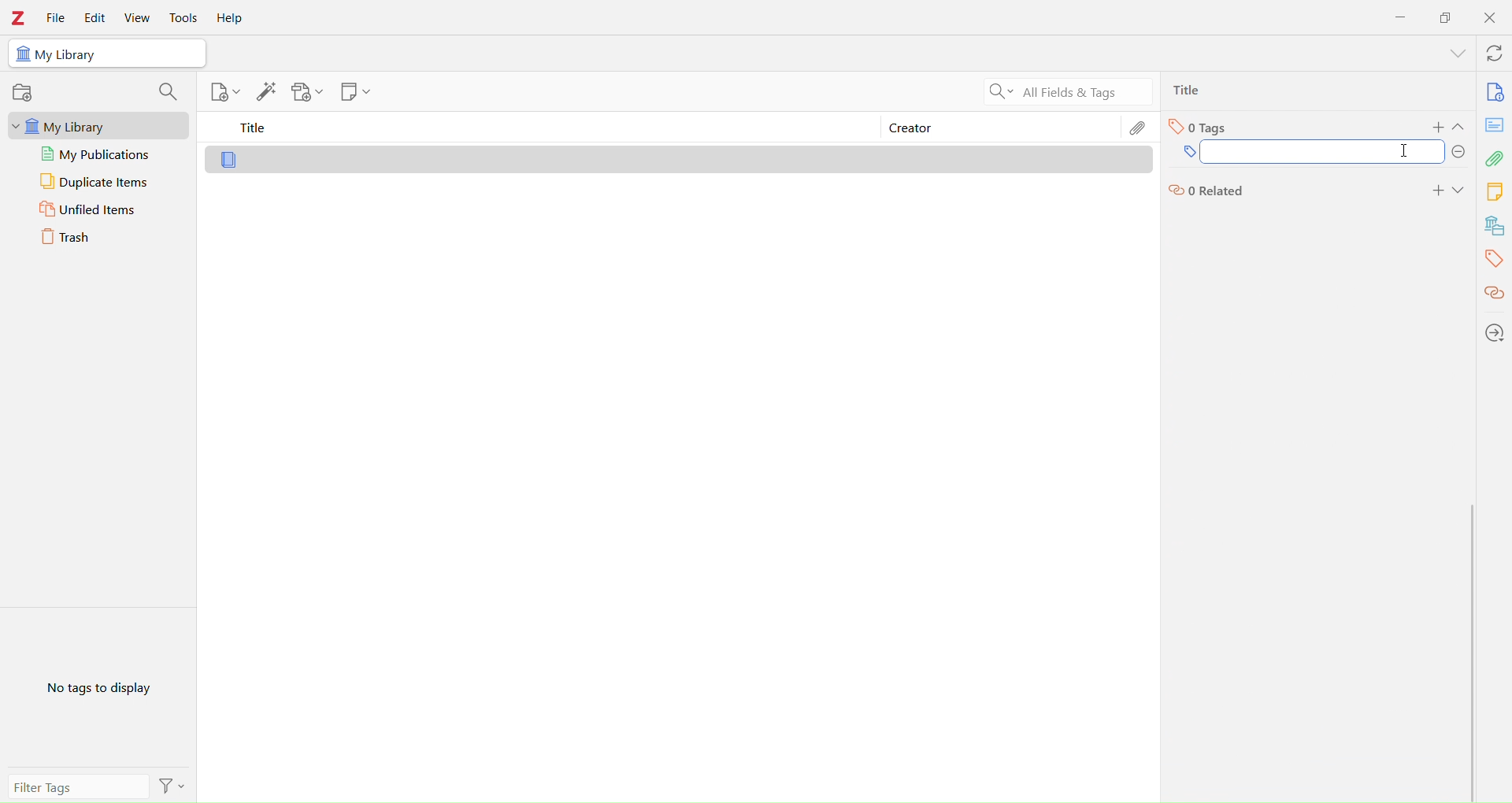 The image size is (1512, 803). Describe the element at coordinates (1494, 206) in the screenshot. I see `Library tools bar` at that location.